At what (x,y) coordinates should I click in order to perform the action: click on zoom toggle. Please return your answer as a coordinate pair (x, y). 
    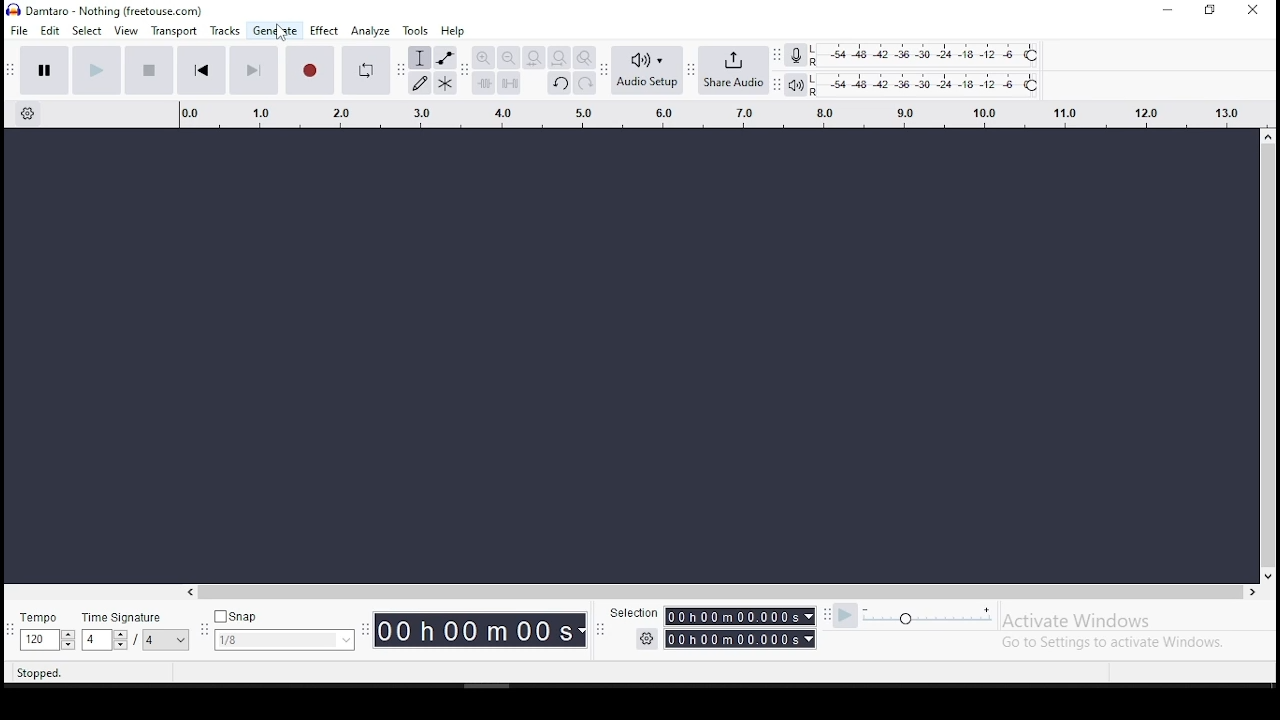
    Looking at the image, I should click on (585, 58).